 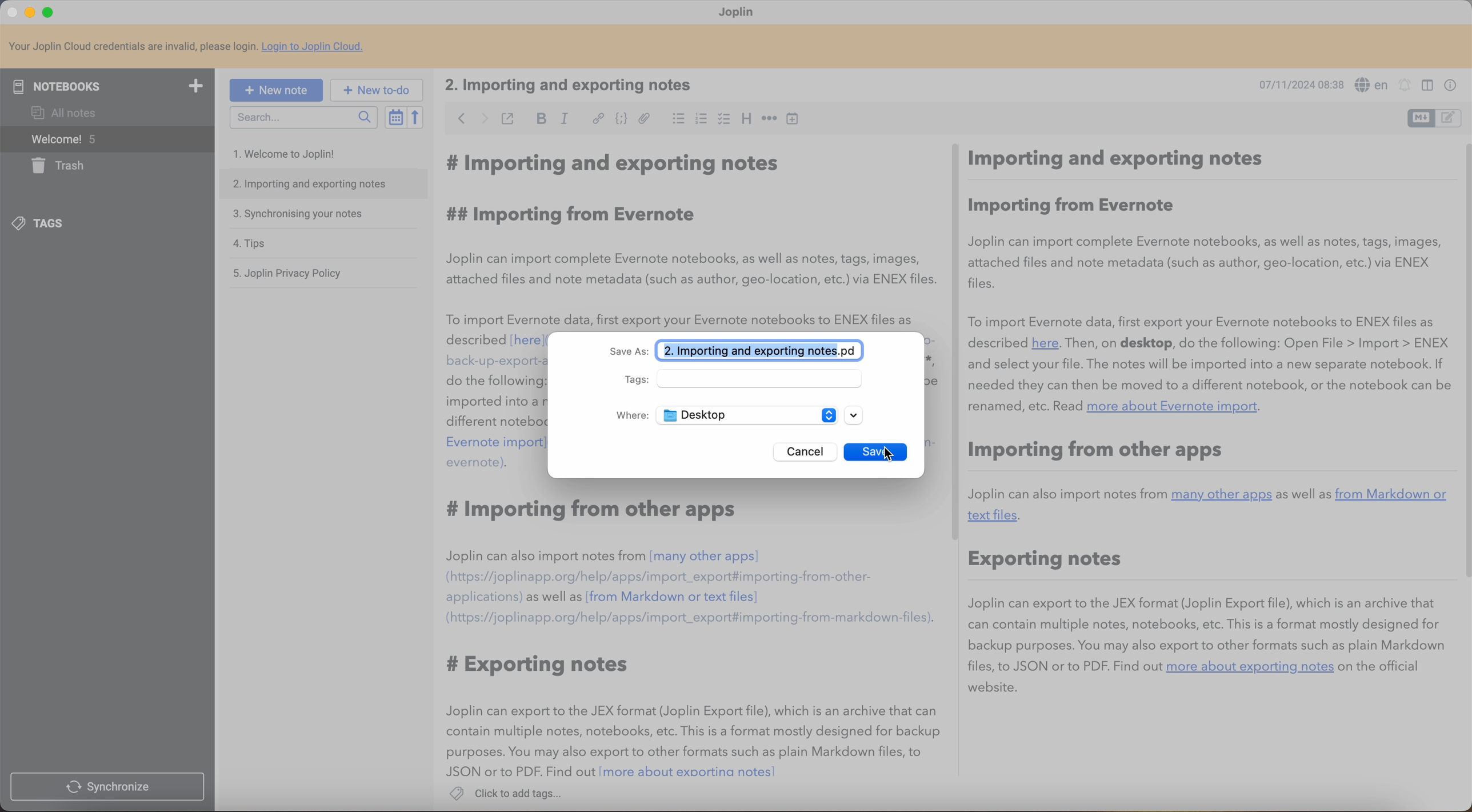 I want to click on arrow, so click(x=855, y=415).